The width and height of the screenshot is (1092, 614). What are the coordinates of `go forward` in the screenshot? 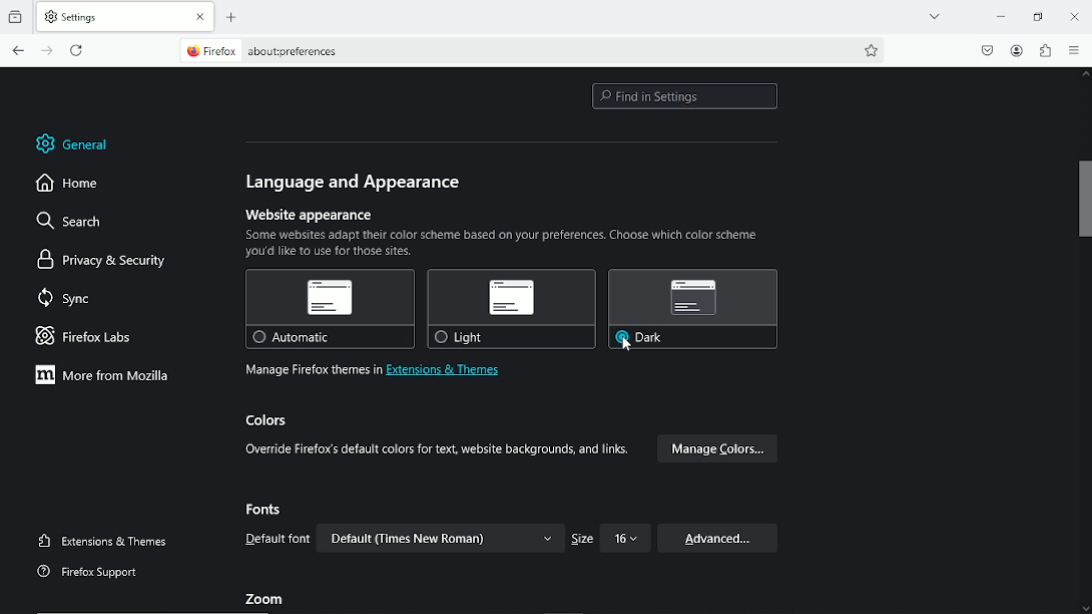 It's located at (45, 50).